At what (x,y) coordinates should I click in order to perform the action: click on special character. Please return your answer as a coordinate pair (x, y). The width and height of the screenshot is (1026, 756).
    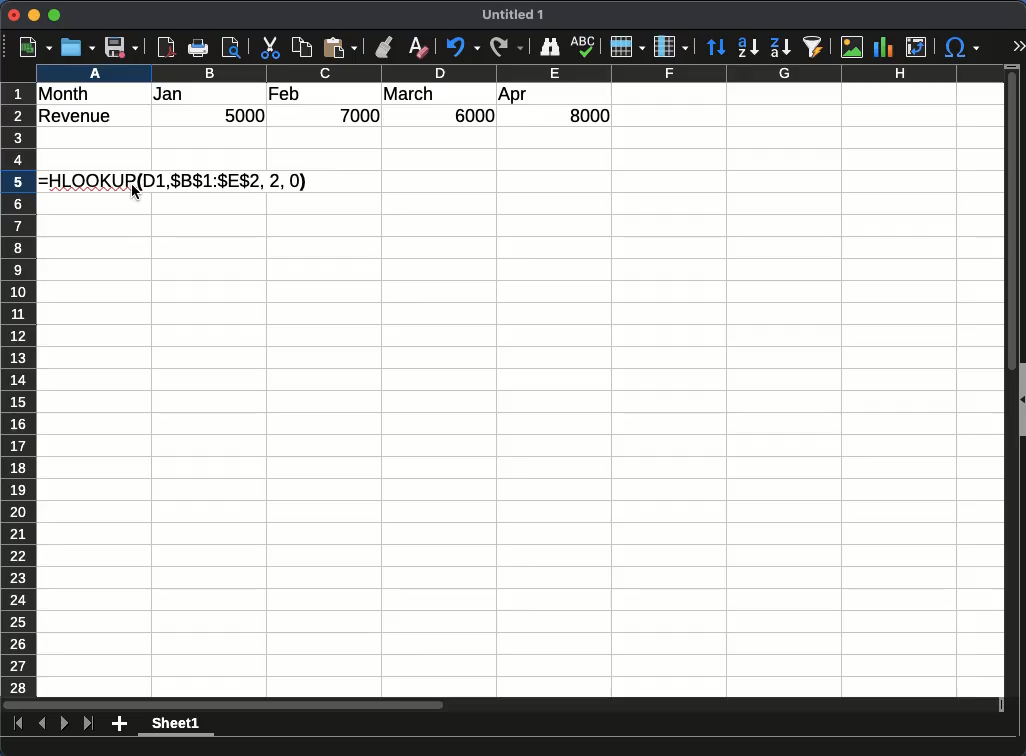
    Looking at the image, I should click on (962, 47).